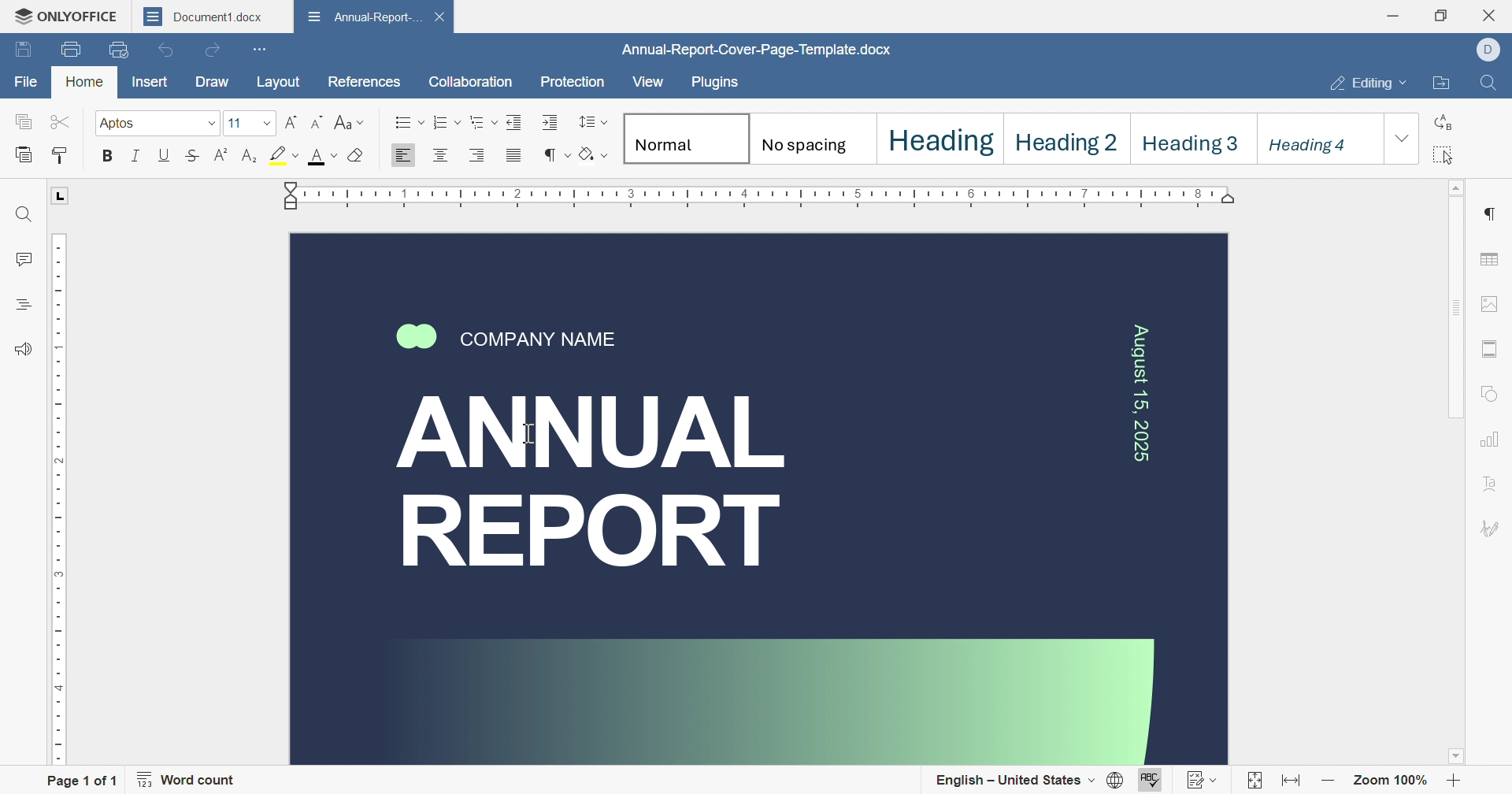 This screenshot has height=794, width=1512. What do you see at coordinates (1493, 394) in the screenshot?
I see `shape settings` at bounding box center [1493, 394].